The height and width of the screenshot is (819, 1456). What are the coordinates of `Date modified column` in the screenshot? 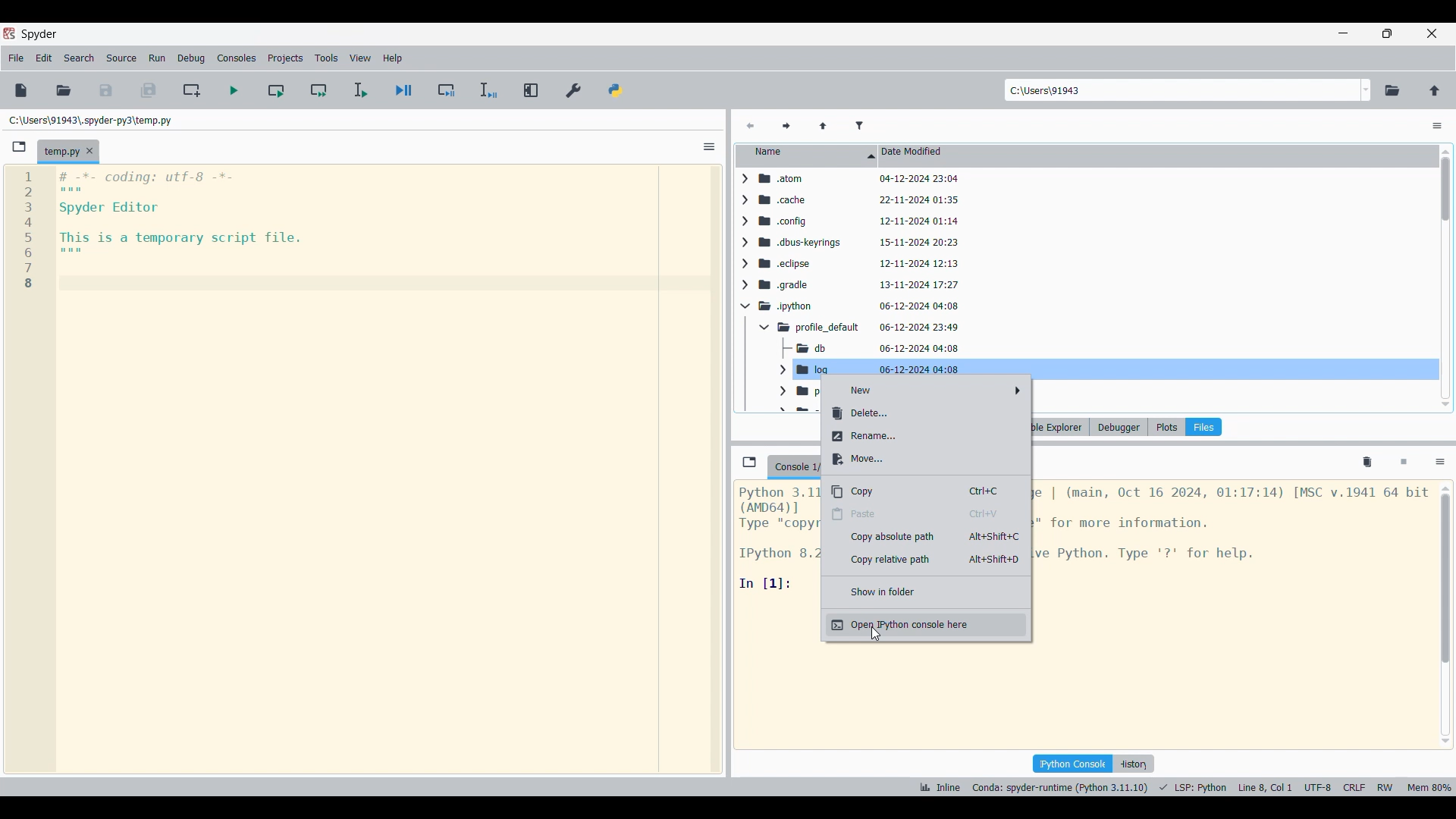 It's located at (1157, 156).